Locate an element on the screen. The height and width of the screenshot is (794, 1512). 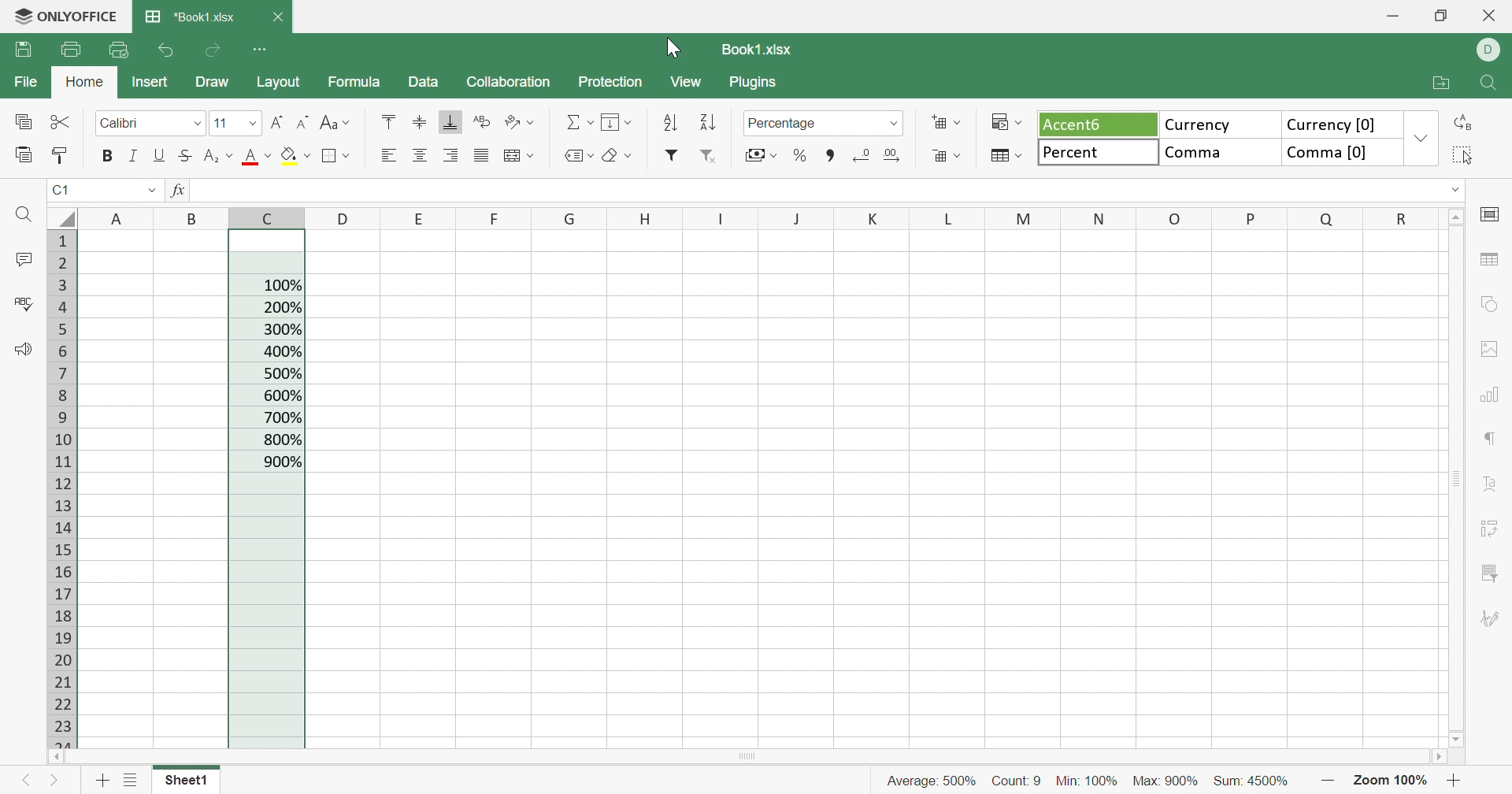
Align Right is located at coordinates (452, 154).